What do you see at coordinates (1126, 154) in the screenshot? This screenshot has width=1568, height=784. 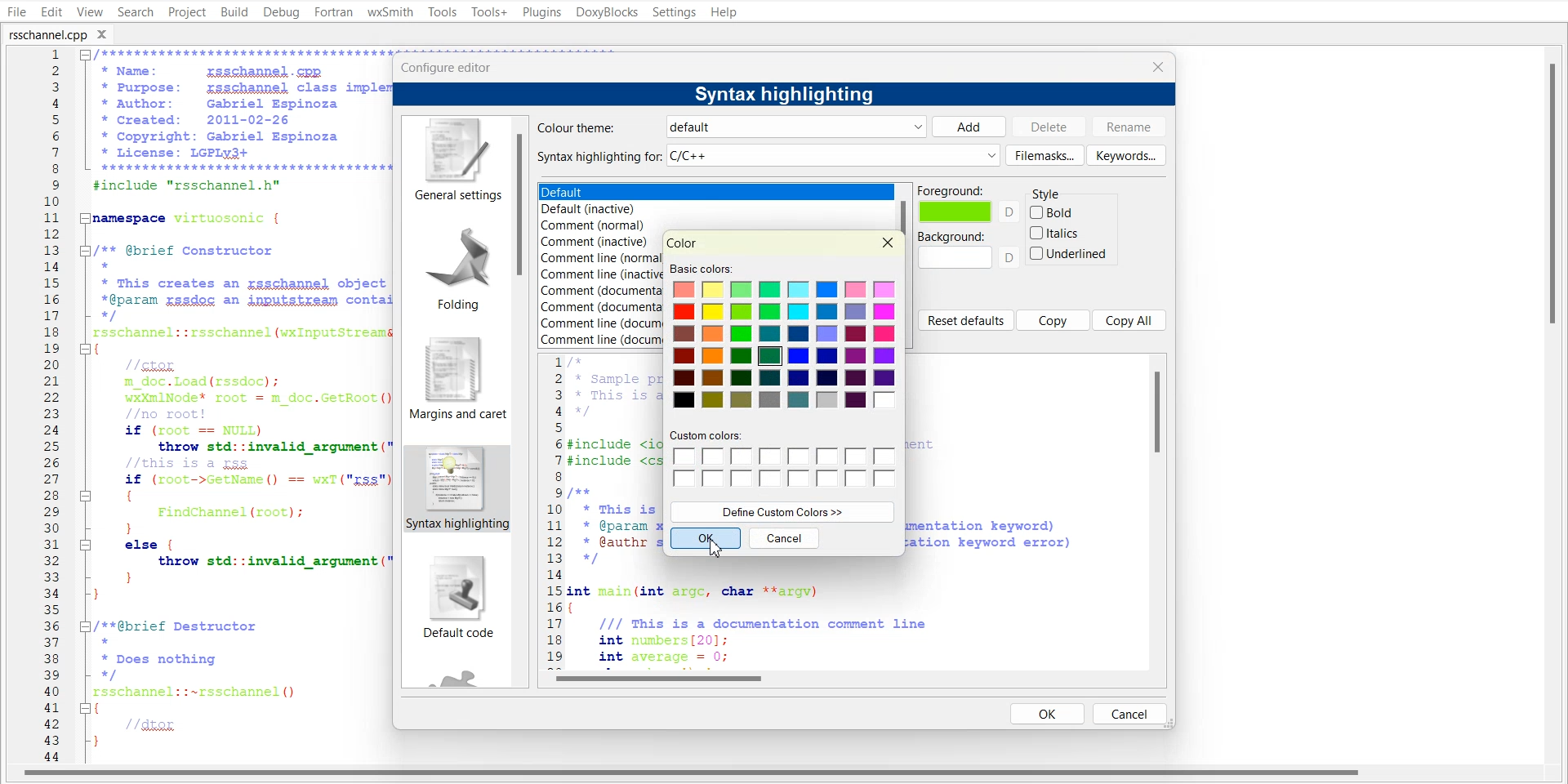 I see `Keywords` at bounding box center [1126, 154].